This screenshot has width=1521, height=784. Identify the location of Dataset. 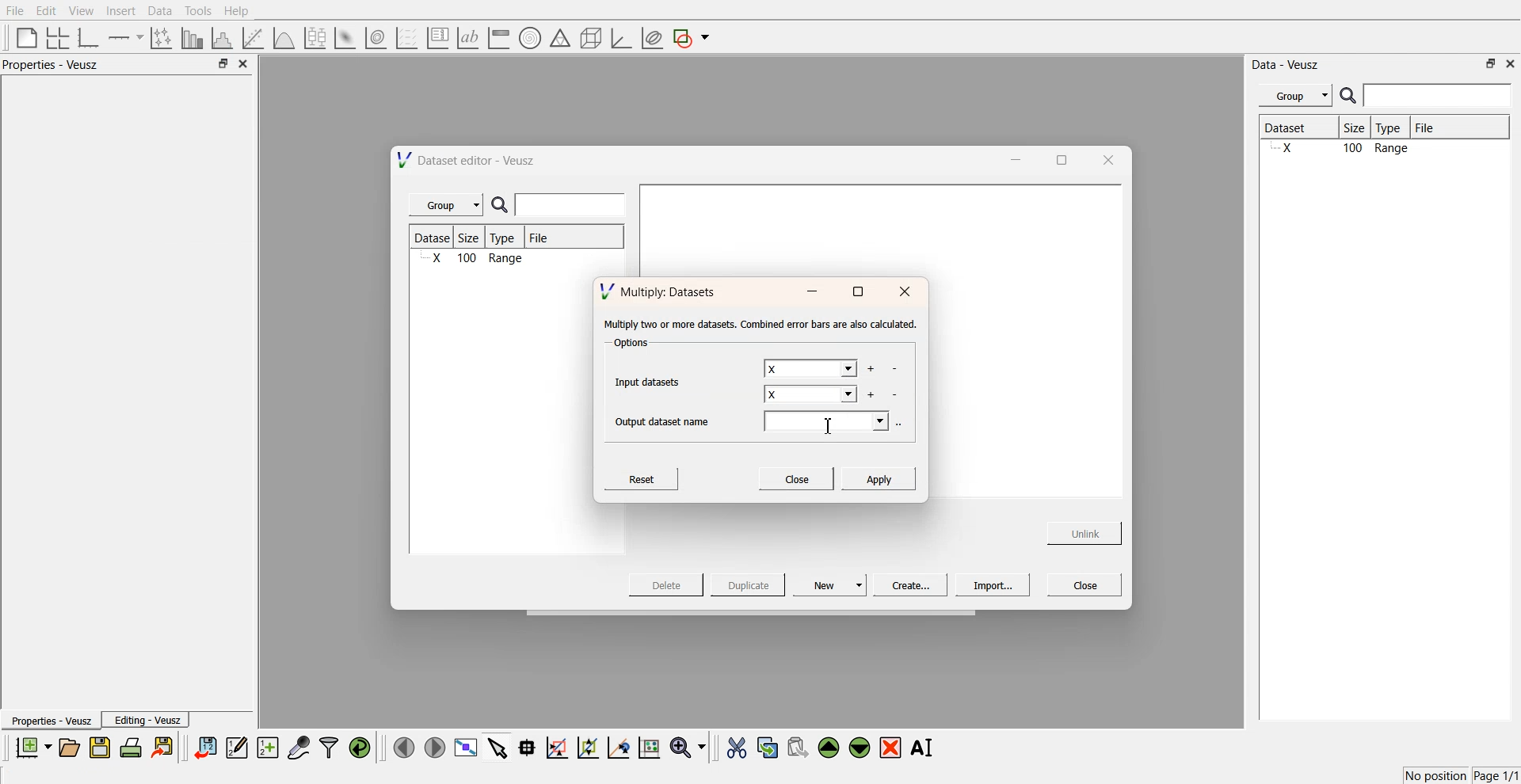
(434, 238).